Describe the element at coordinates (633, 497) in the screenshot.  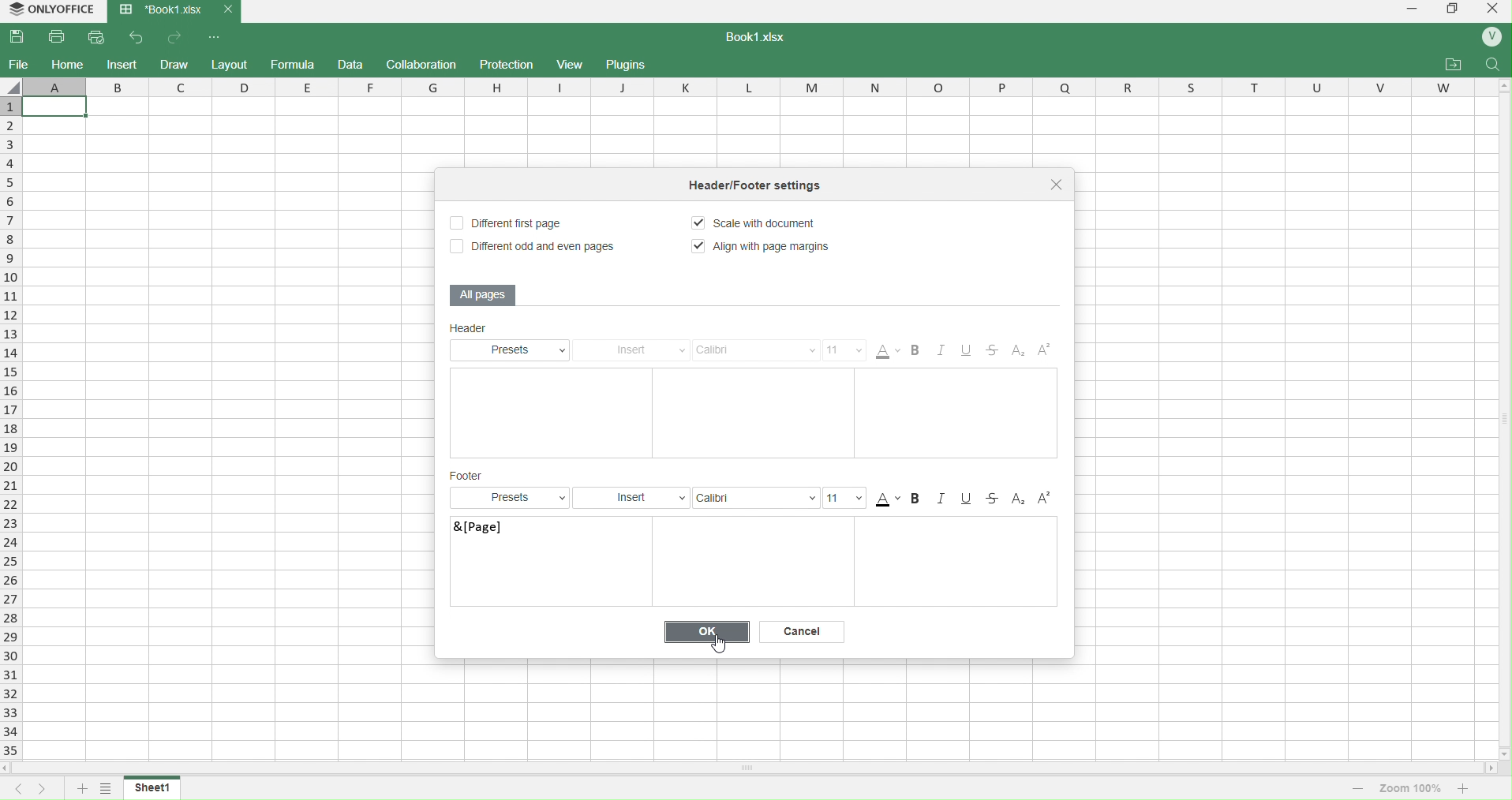
I see `Insert` at that location.